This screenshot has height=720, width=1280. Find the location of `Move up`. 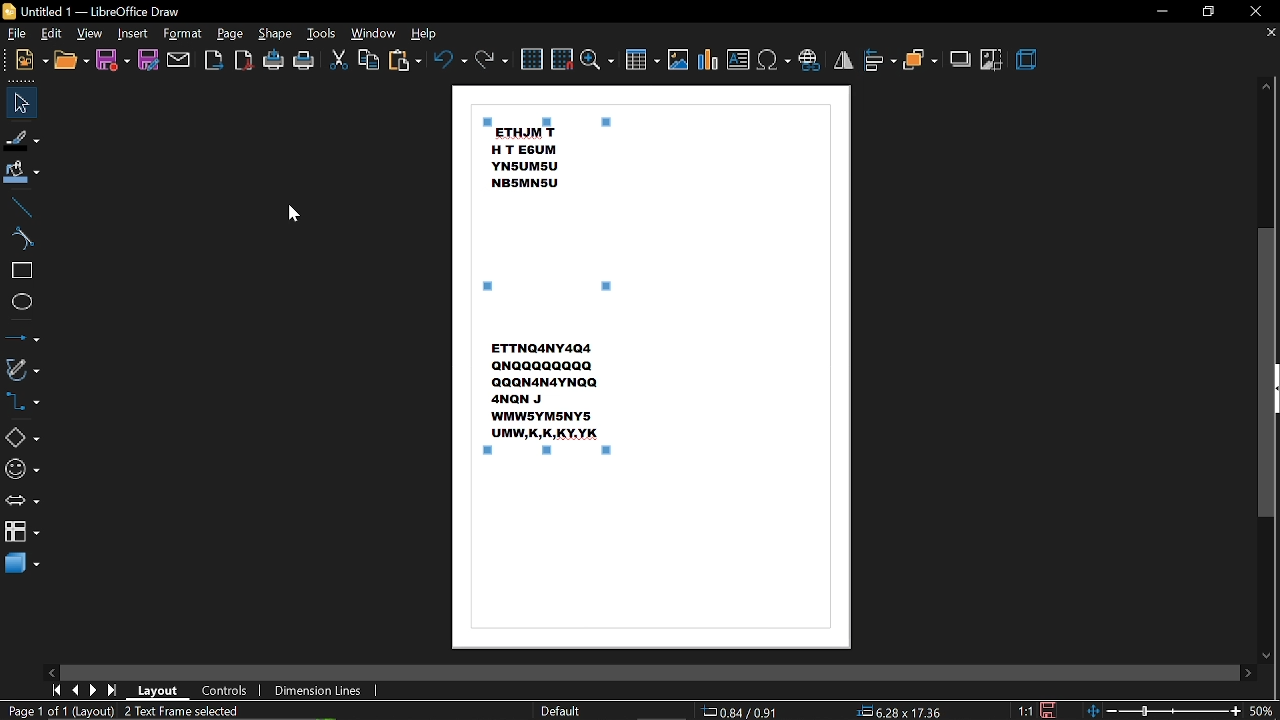

Move up is located at coordinates (1266, 88).